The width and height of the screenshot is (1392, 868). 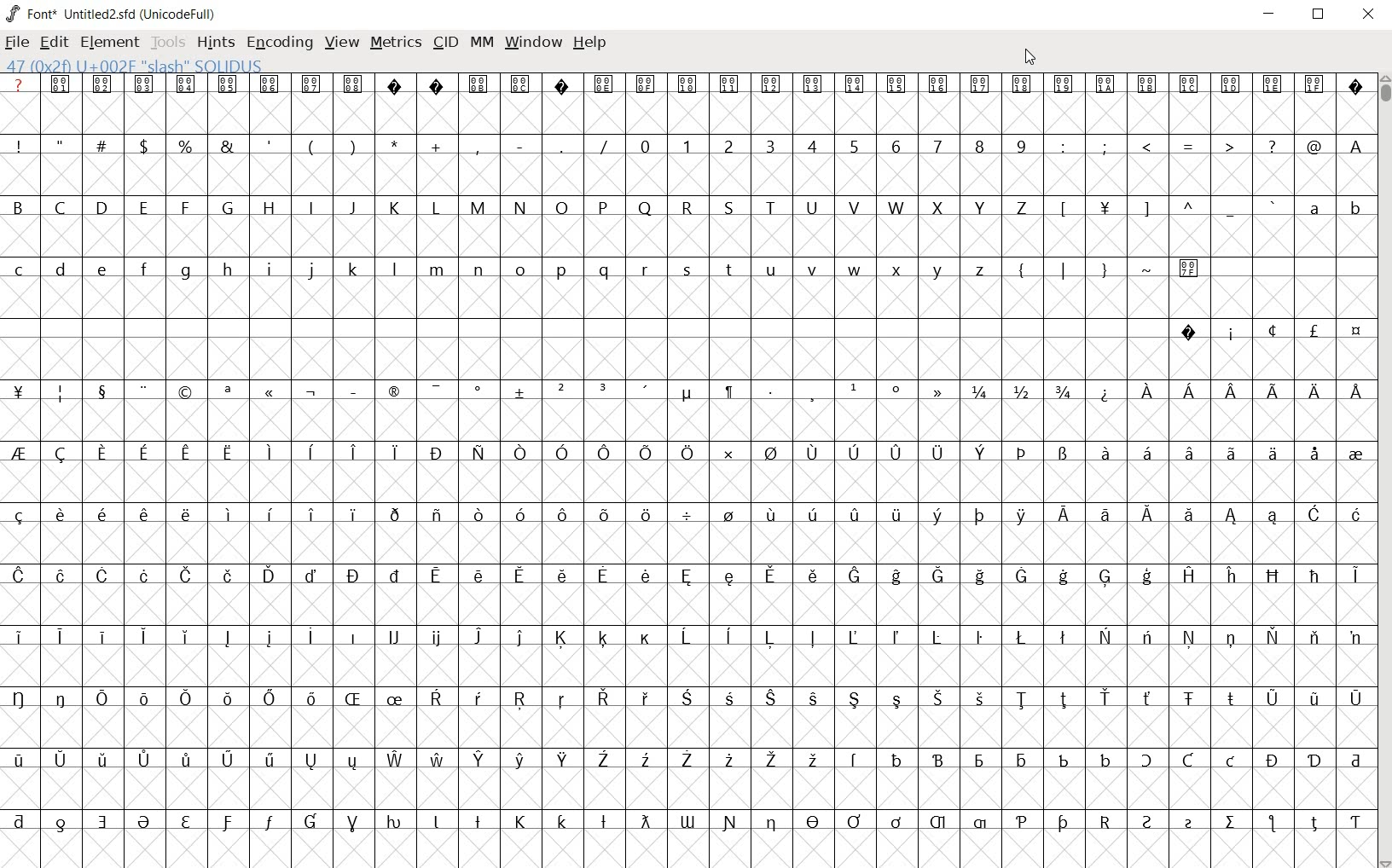 I want to click on special letters, so click(x=690, y=636).